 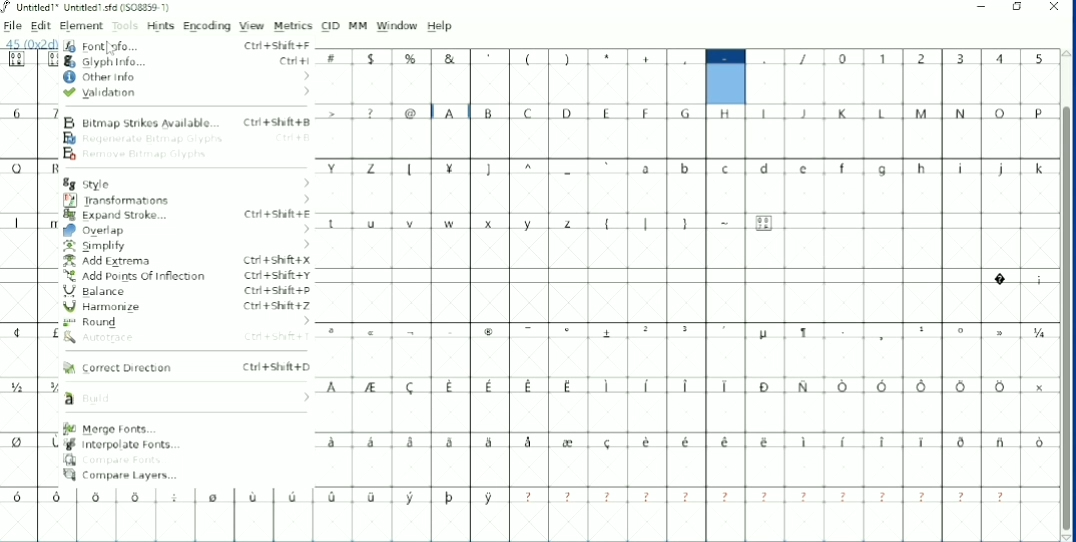 What do you see at coordinates (41, 26) in the screenshot?
I see `Edit` at bounding box center [41, 26].